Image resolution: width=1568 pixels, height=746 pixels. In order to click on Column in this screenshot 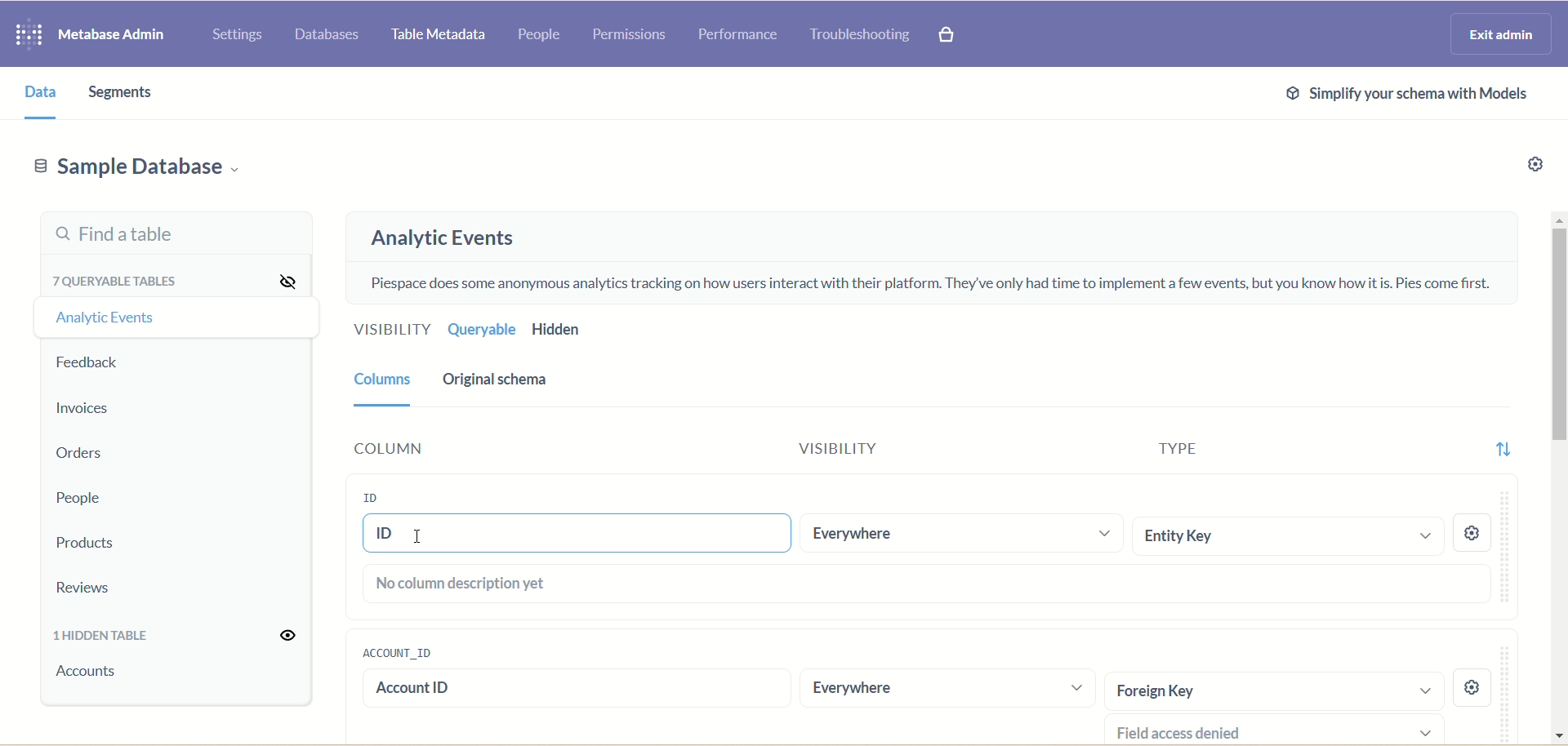, I will do `click(462, 451)`.